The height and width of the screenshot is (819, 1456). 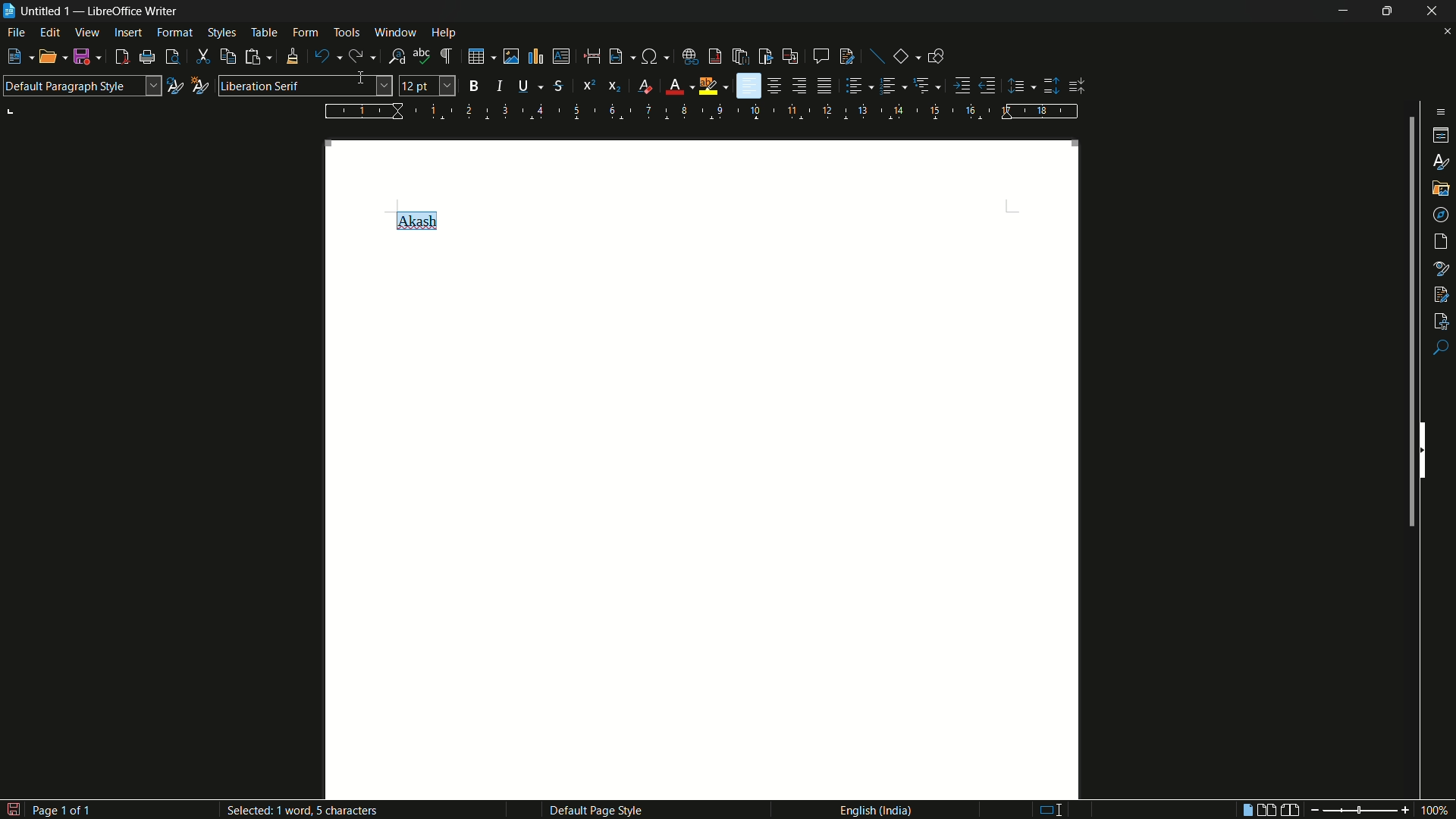 What do you see at coordinates (320, 813) in the screenshot?
I see `words and characters` at bounding box center [320, 813].